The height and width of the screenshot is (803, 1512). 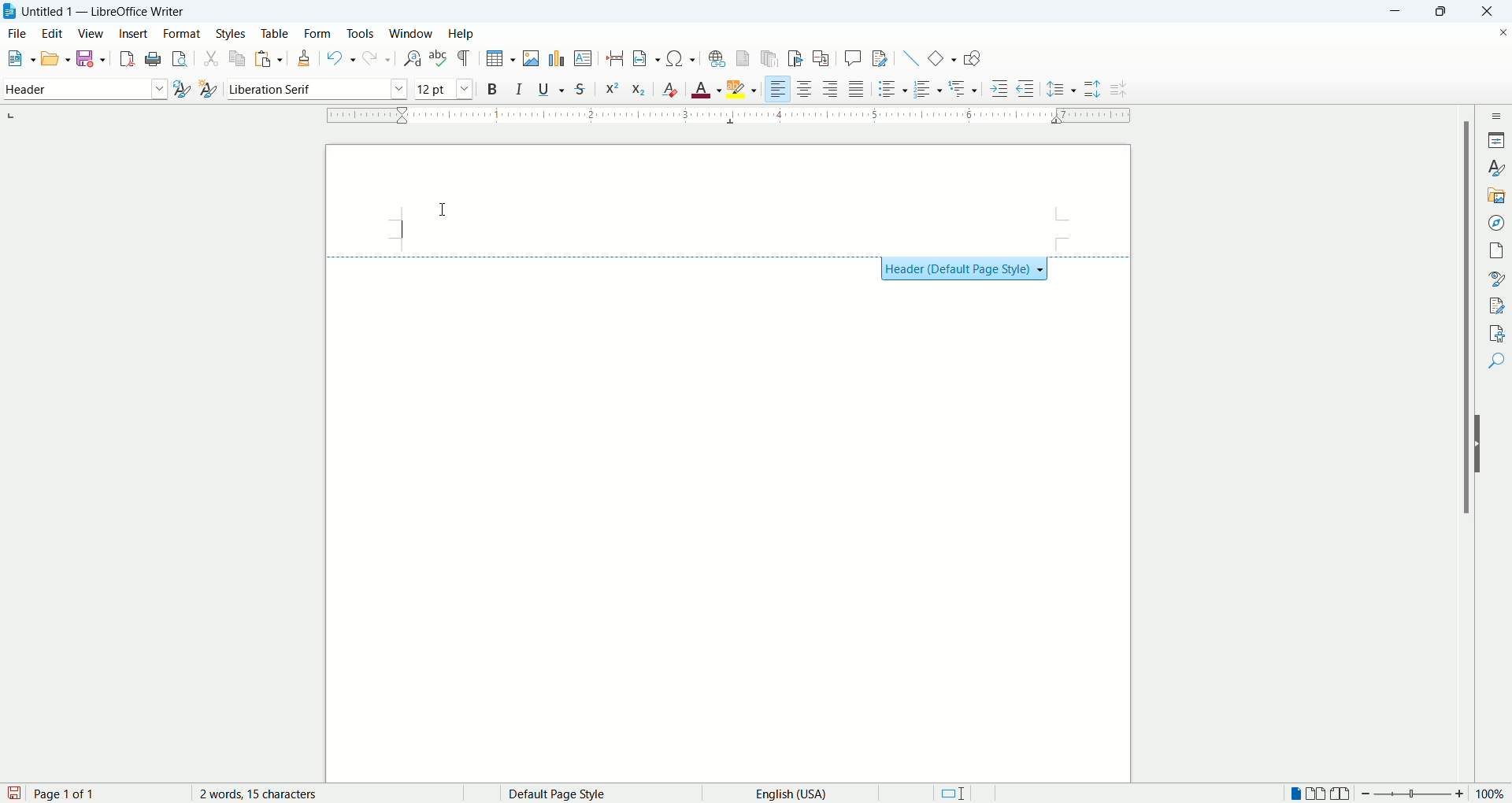 I want to click on edit, so click(x=50, y=35).